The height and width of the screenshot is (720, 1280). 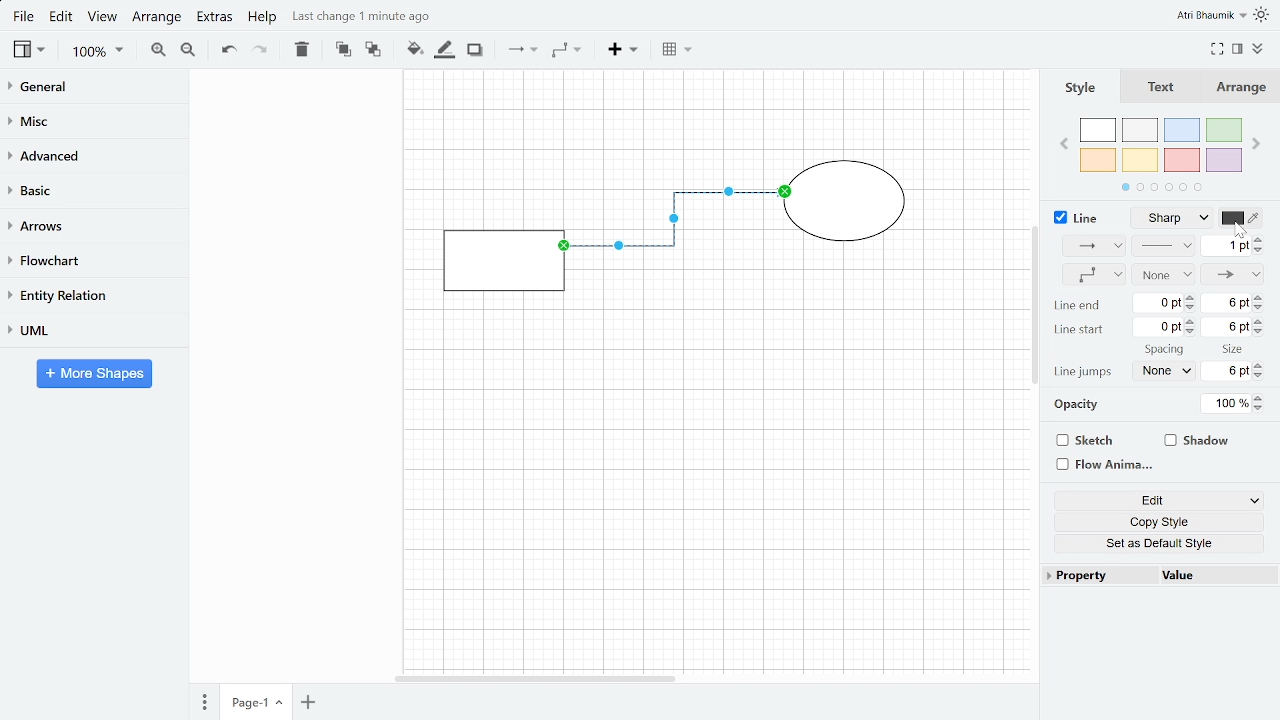 What do you see at coordinates (1141, 131) in the screenshot?
I see `ash` at bounding box center [1141, 131].